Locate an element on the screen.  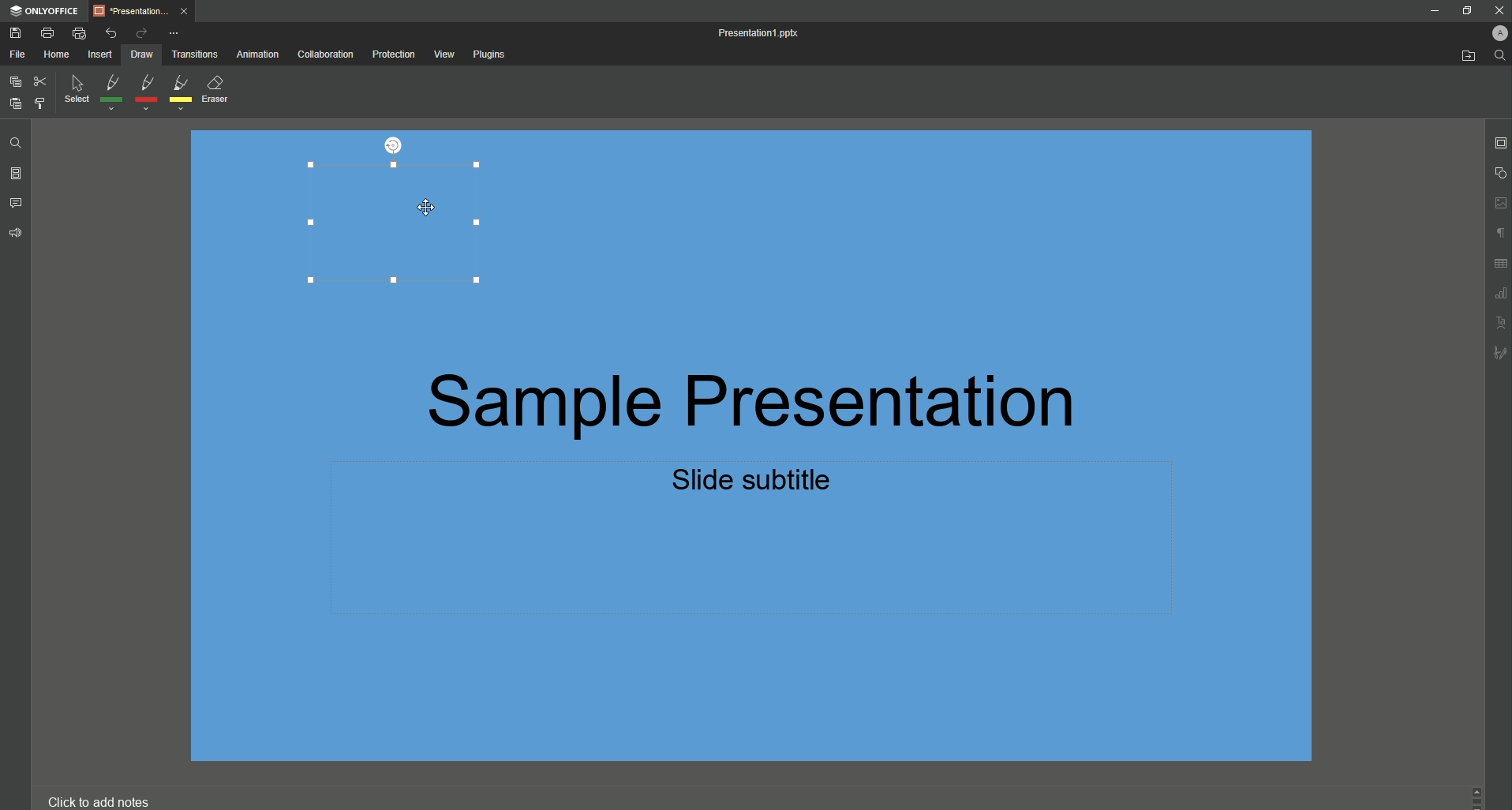
Find is located at coordinates (13, 141).